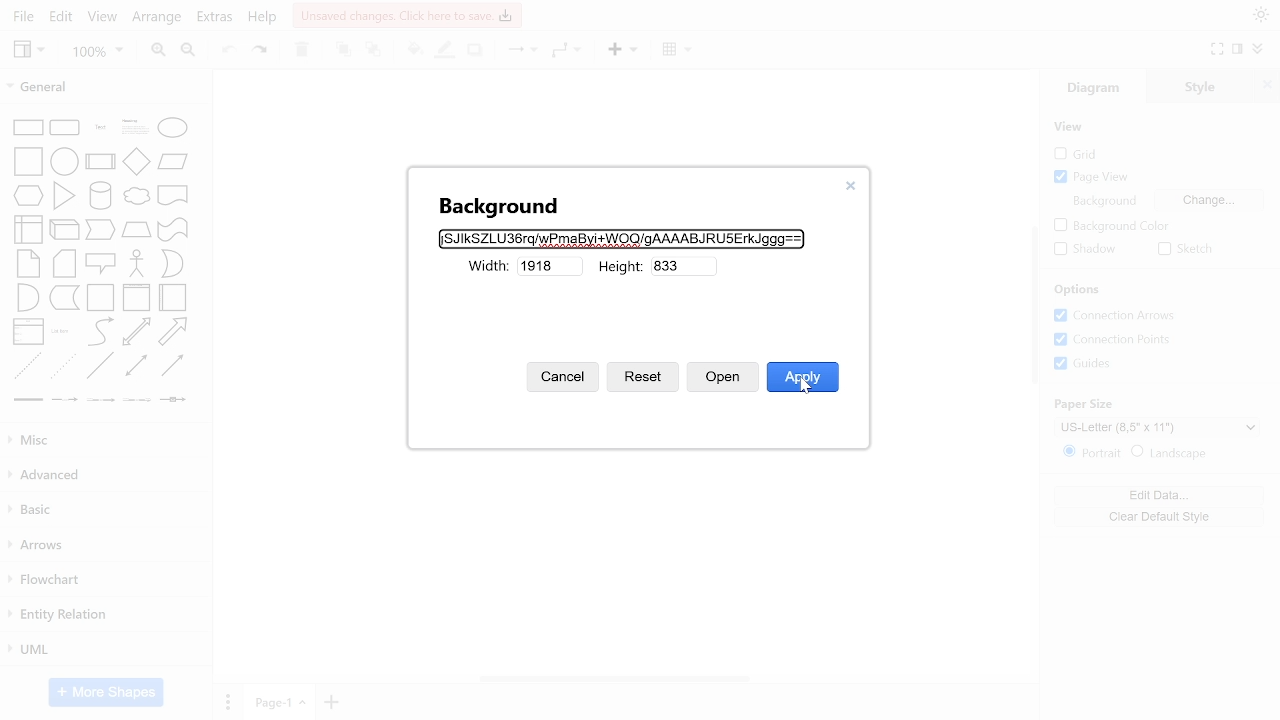  What do you see at coordinates (477, 51) in the screenshot?
I see `shadow` at bounding box center [477, 51].